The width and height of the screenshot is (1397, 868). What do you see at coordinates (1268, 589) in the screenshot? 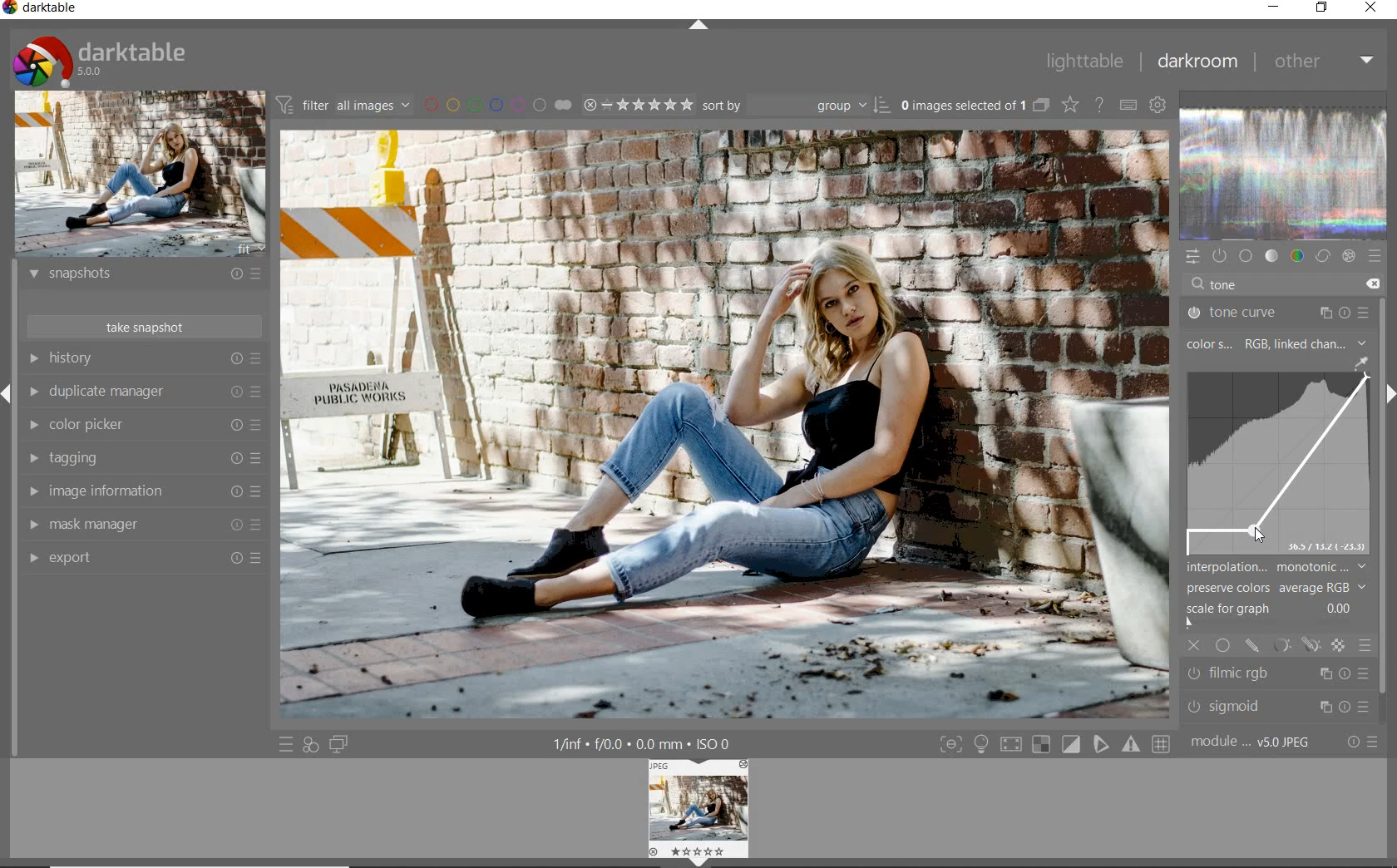
I see `preserve colors` at bounding box center [1268, 589].